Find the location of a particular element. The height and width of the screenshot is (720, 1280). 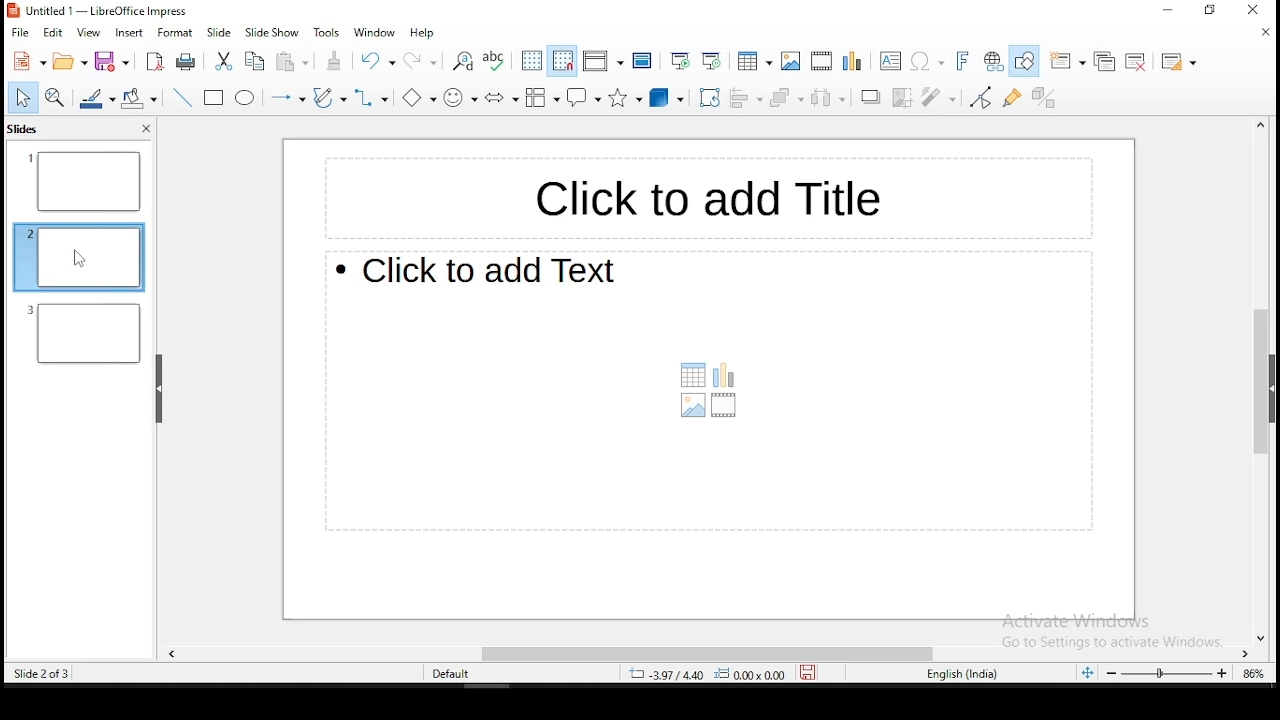

close pane is located at coordinates (145, 129).